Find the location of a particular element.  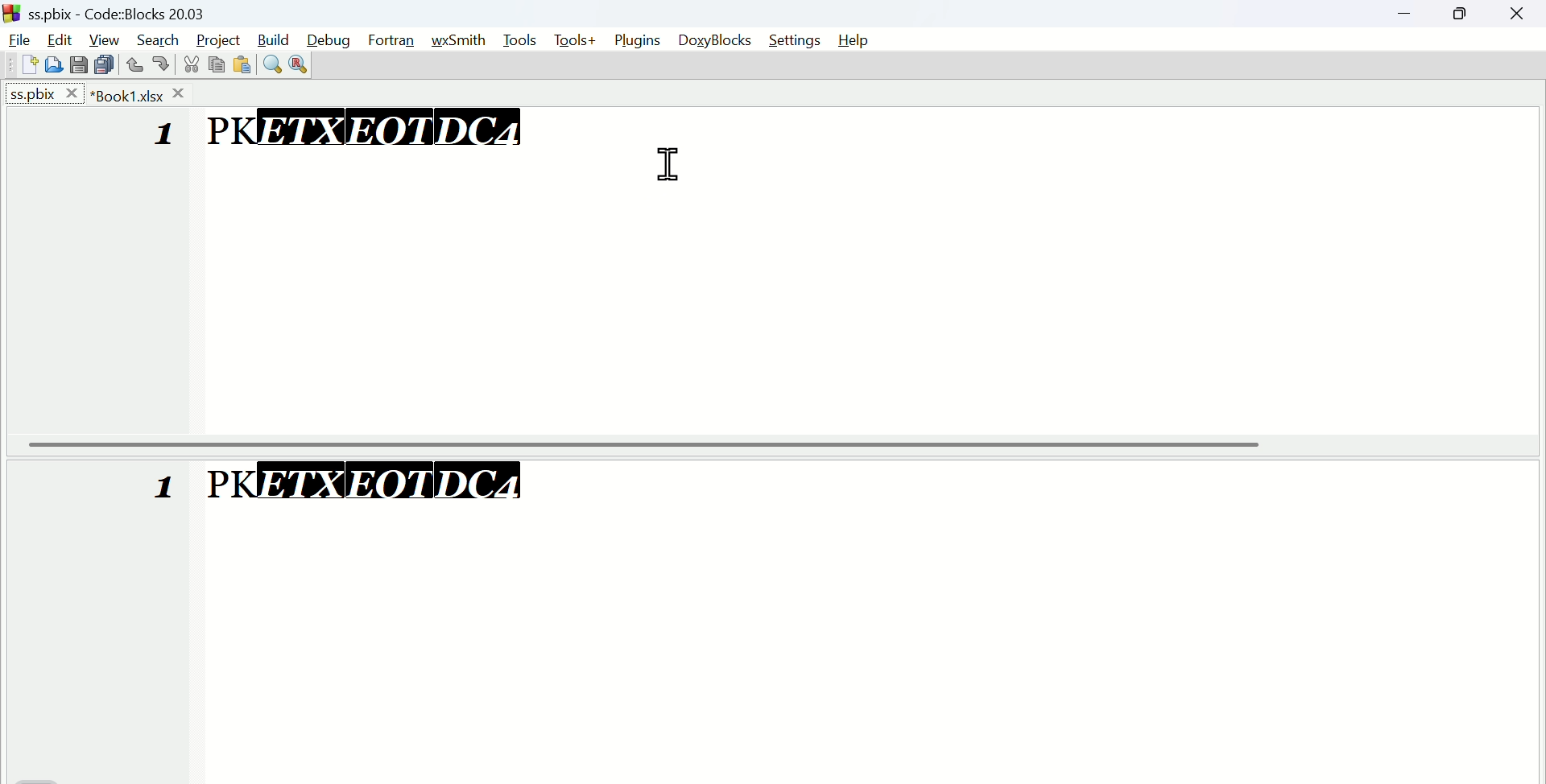

Edit is located at coordinates (62, 36).